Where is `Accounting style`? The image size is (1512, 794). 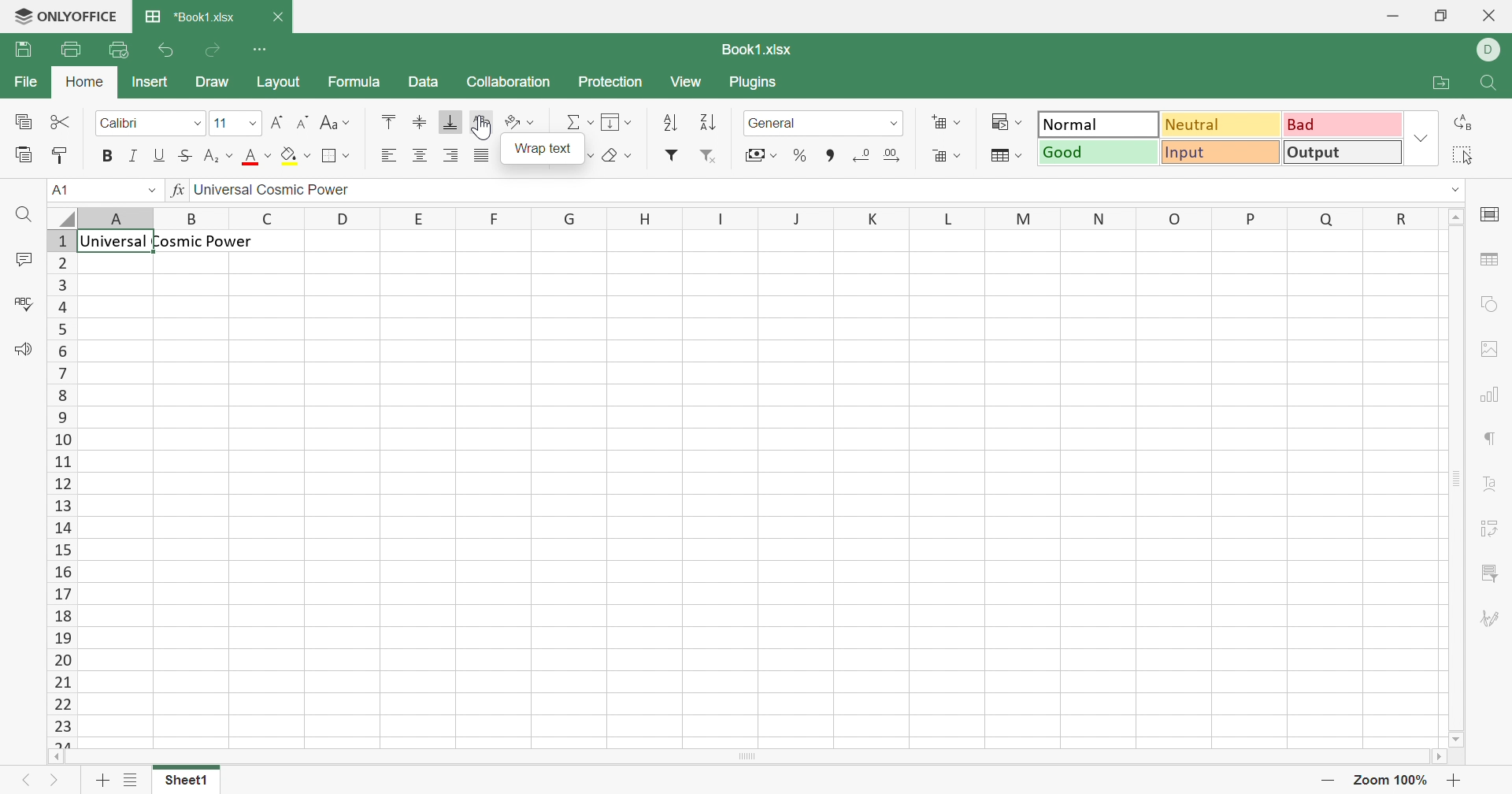
Accounting style is located at coordinates (760, 155).